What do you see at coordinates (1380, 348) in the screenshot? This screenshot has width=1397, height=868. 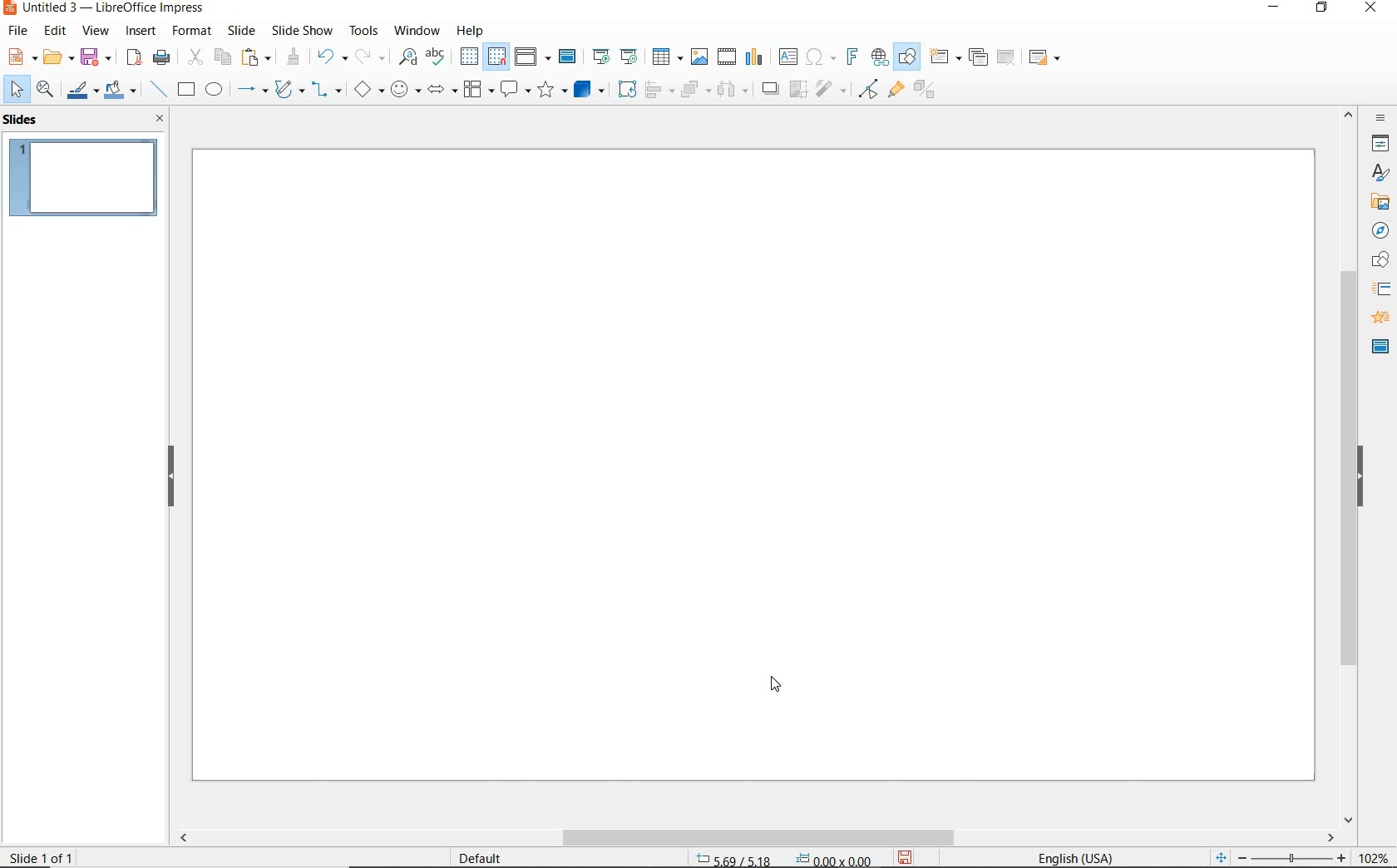 I see `MASTER SLIDES` at bounding box center [1380, 348].